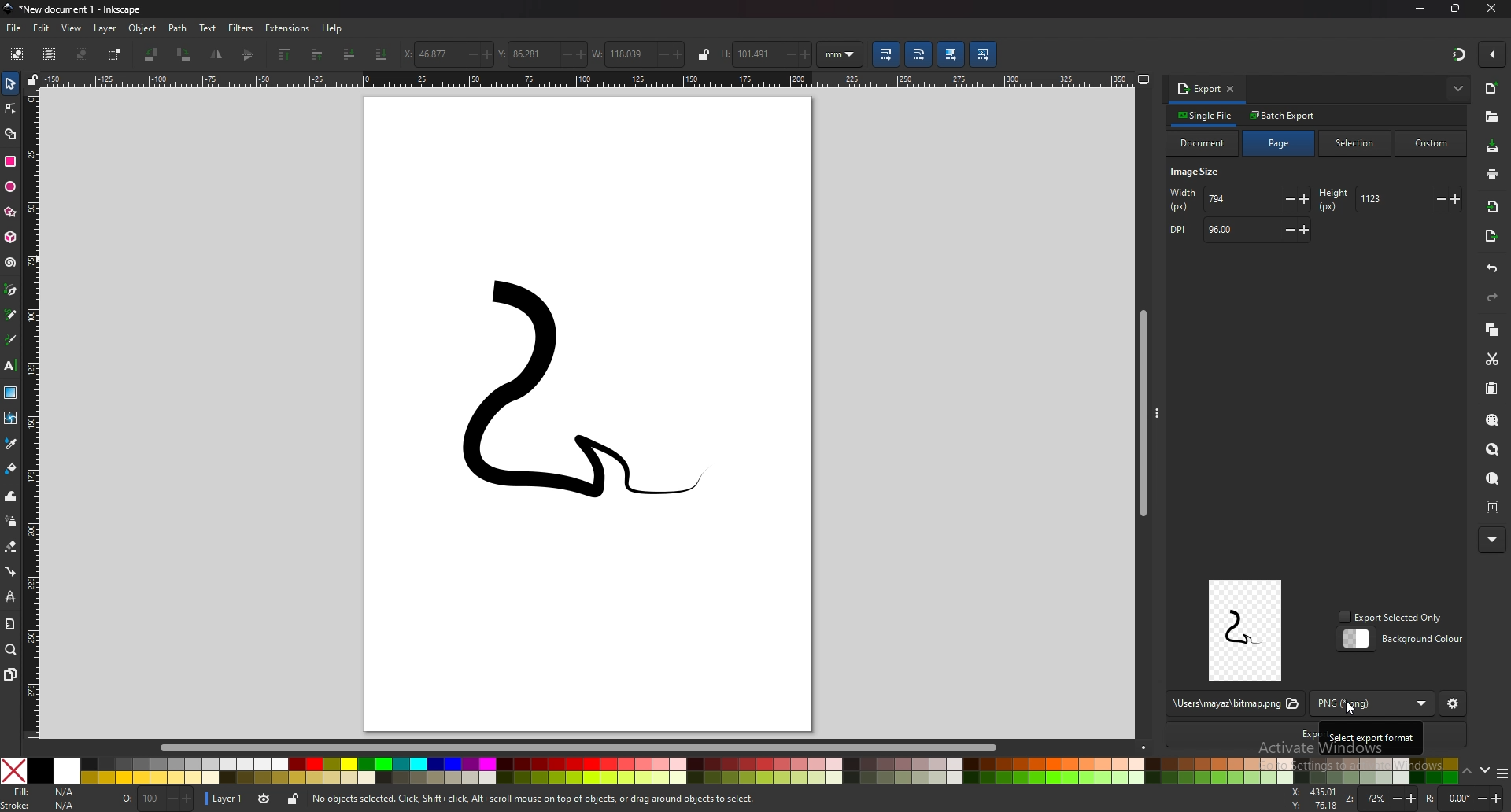 The image size is (1511, 812). I want to click on document, so click(1203, 143).